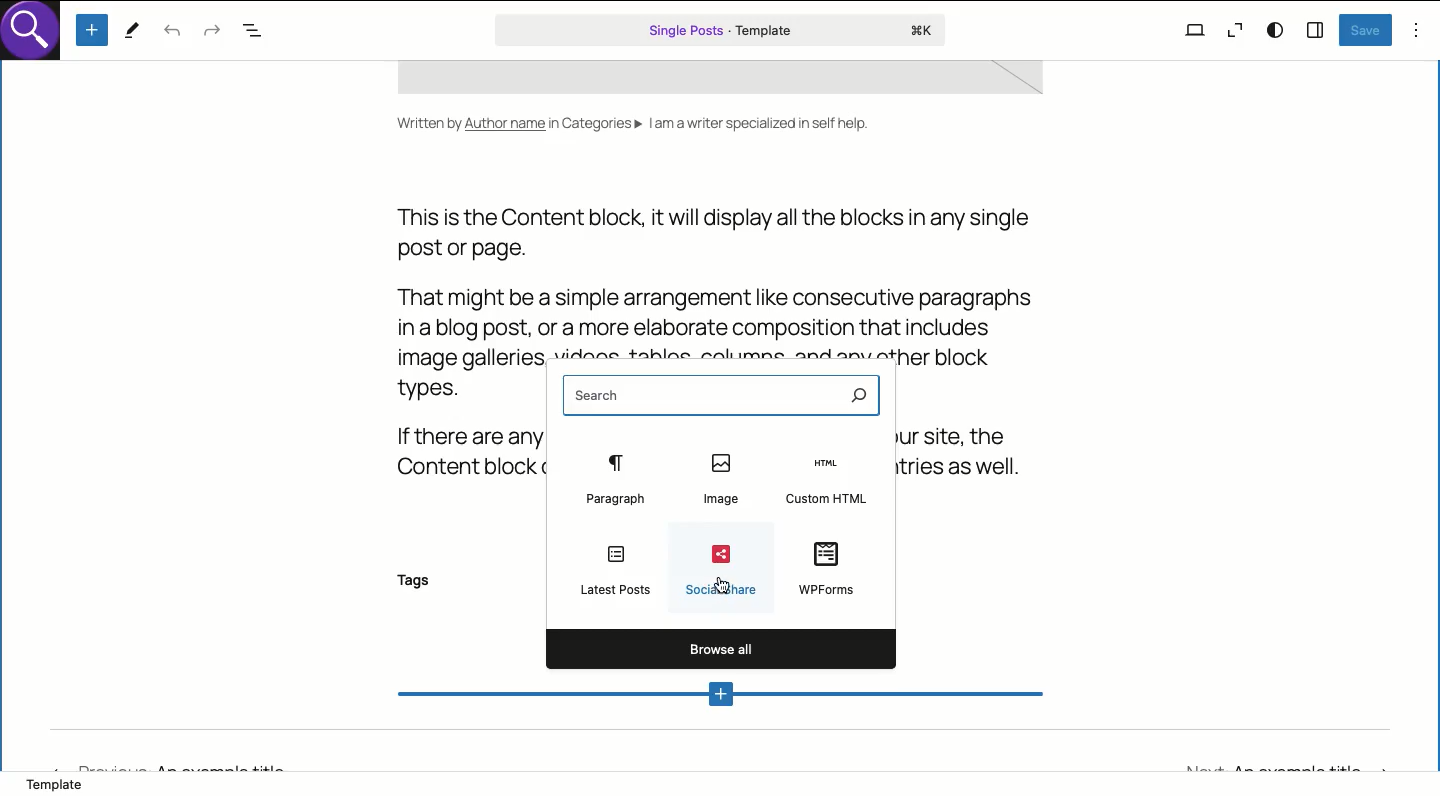 The height and width of the screenshot is (796, 1440). Describe the element at coordinates (723, 648) in the screenshot. I see `Browse all` at that location.